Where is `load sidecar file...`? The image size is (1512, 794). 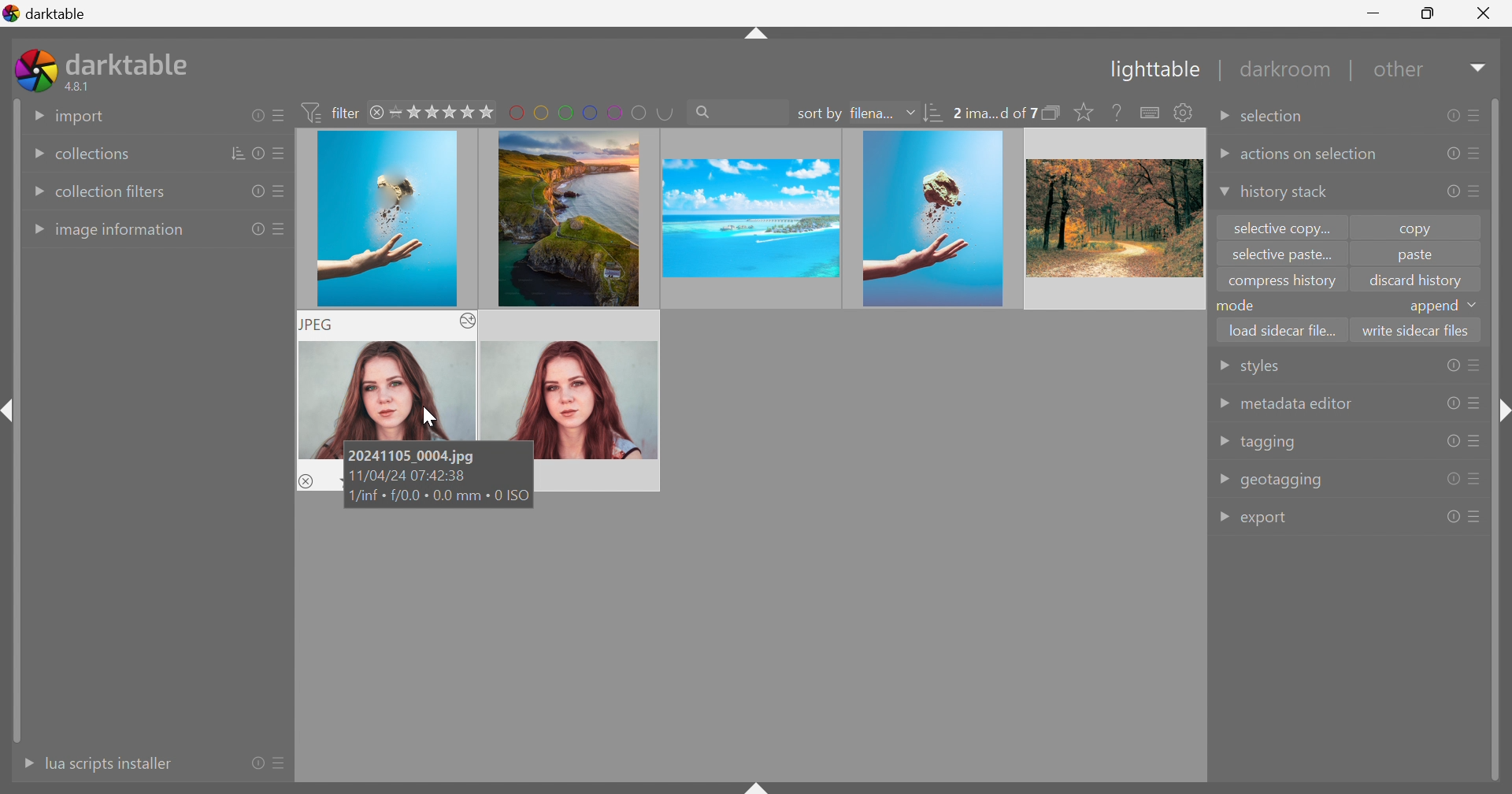 load sidecar file... is located at coordinates (1284, 328).